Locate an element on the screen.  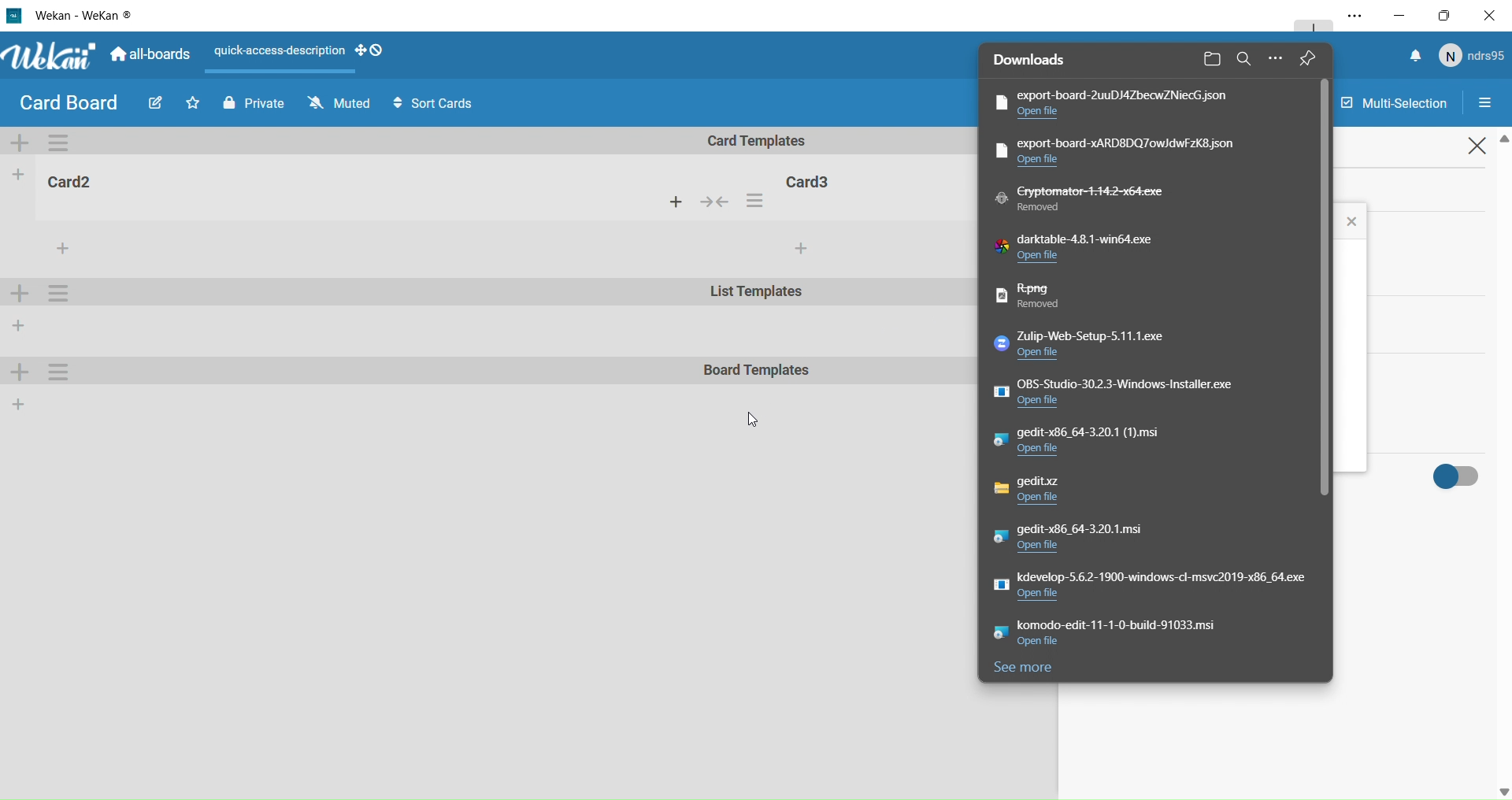
downloaded file is located at coordinates (1127, 392).